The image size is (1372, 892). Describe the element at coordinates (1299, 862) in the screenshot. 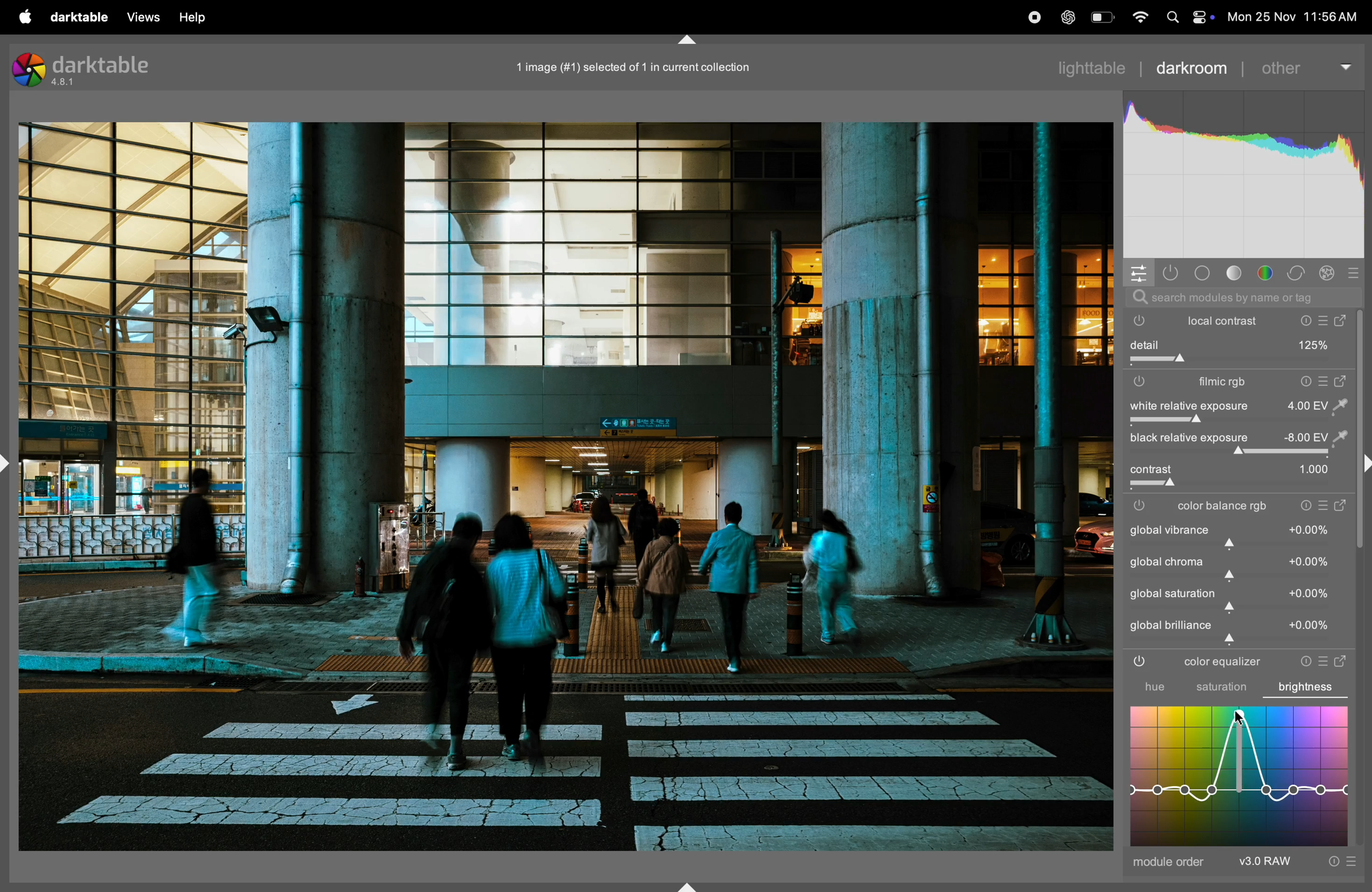

I see `raw` at that location.